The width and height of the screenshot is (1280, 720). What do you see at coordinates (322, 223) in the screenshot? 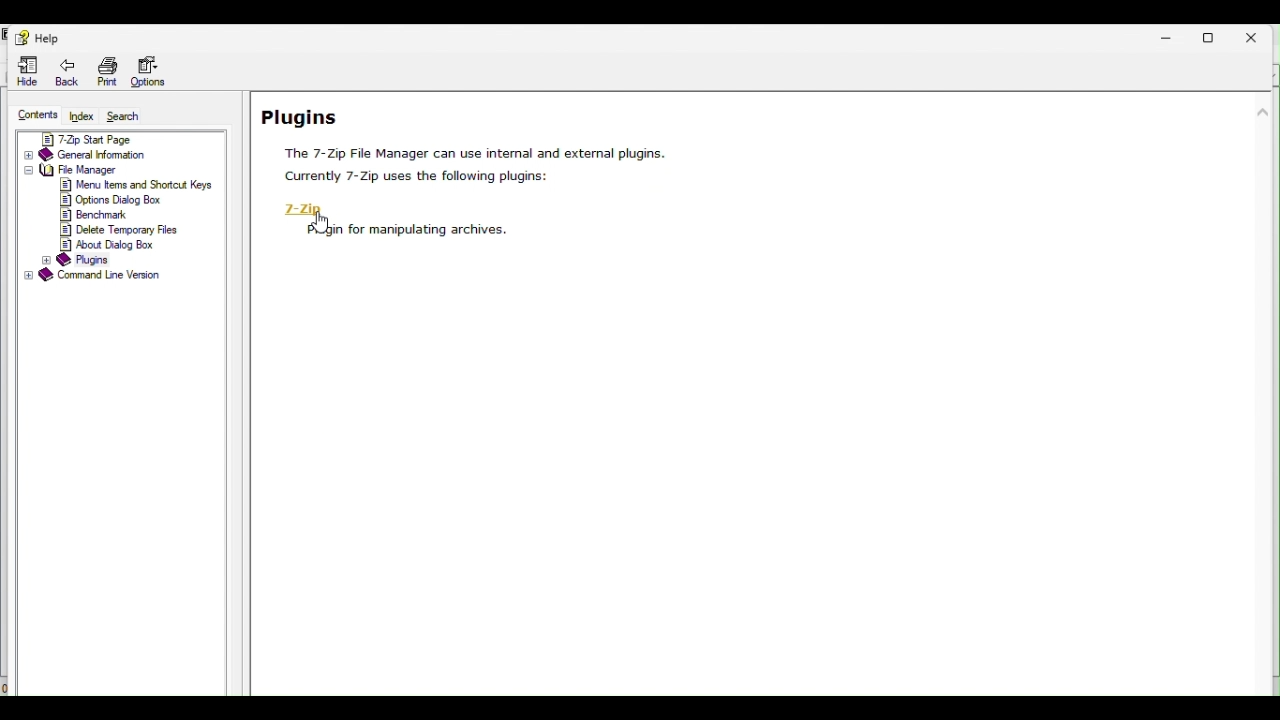
I see `cursor` at bounding box center [322, 223].